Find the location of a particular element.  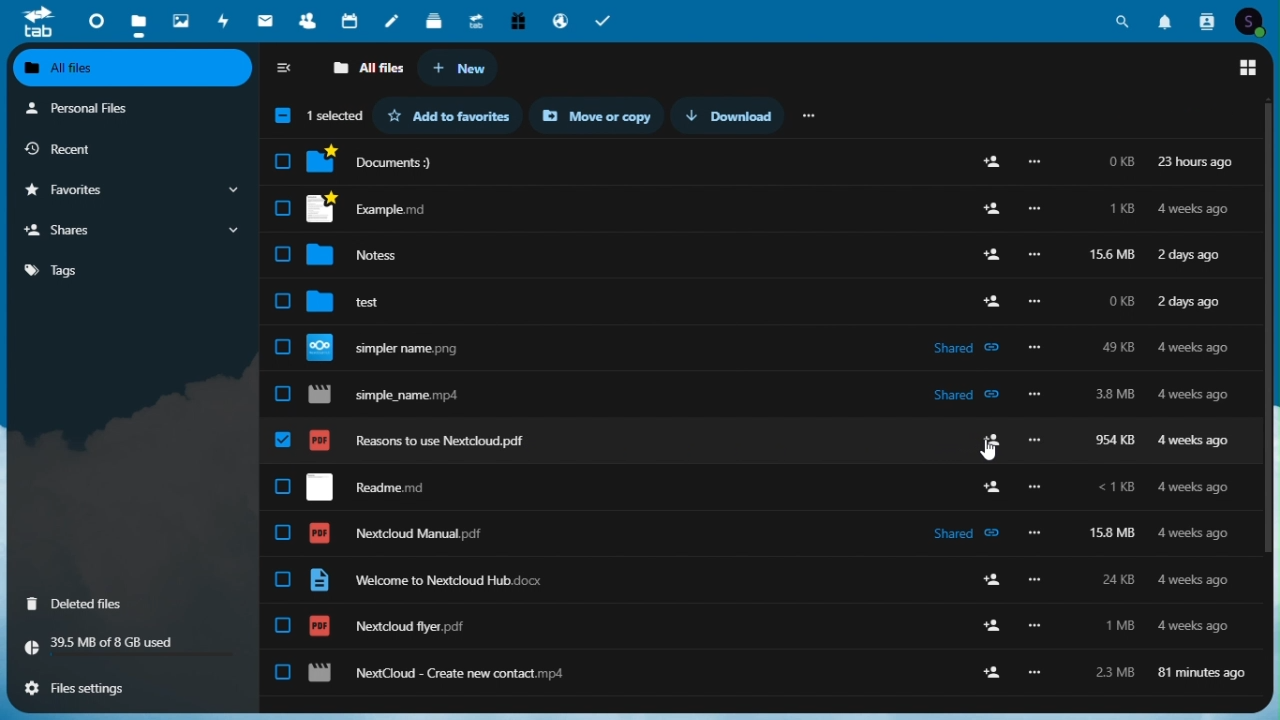

0kb is located at coordinates (1120, 305).